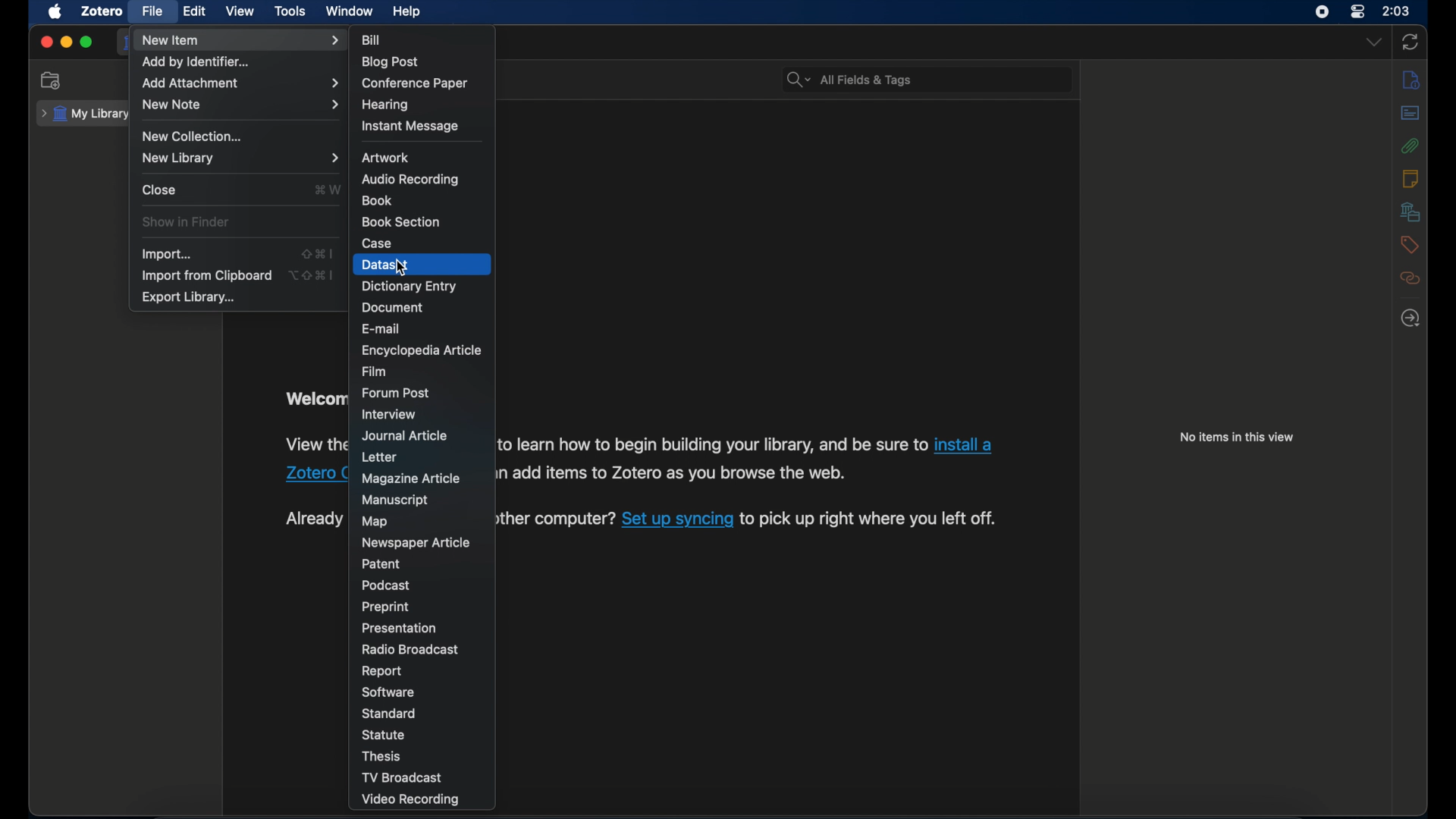  Describe the element at coordinates (187, 222) in the screenshot. I see `show in finder` at that location.